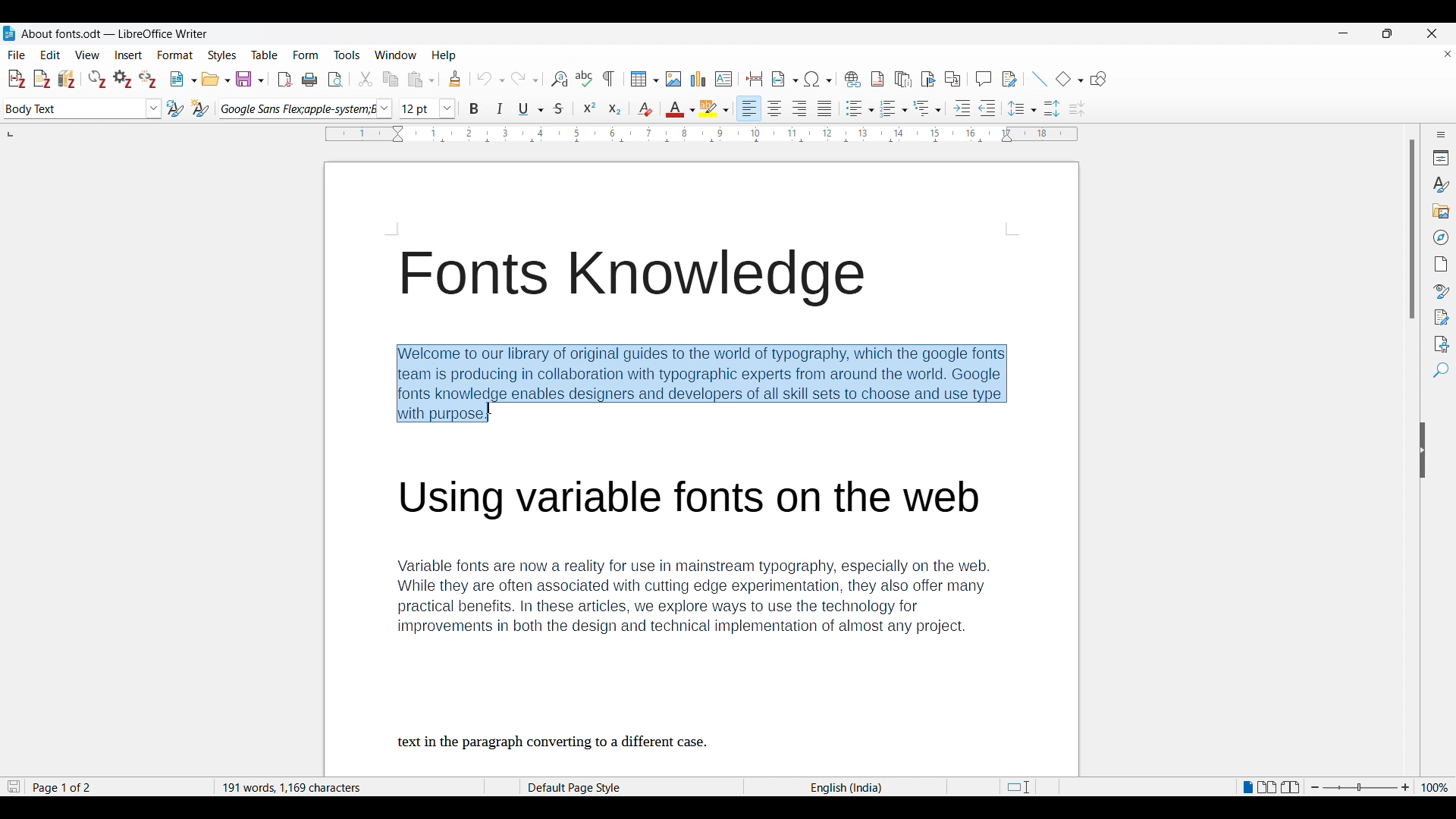  I want to click on Insert hyperlink, so click(853, 79).